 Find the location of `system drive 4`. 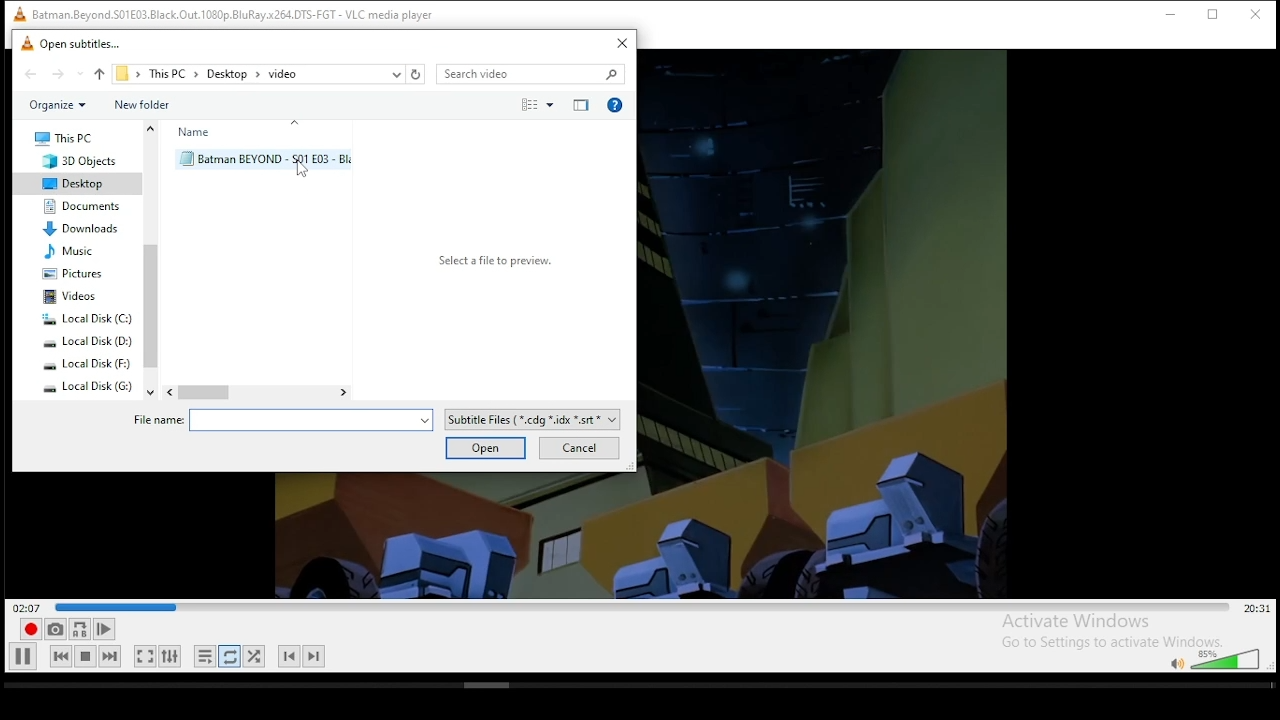

system drive 4 is located at coordinates (85, 387).